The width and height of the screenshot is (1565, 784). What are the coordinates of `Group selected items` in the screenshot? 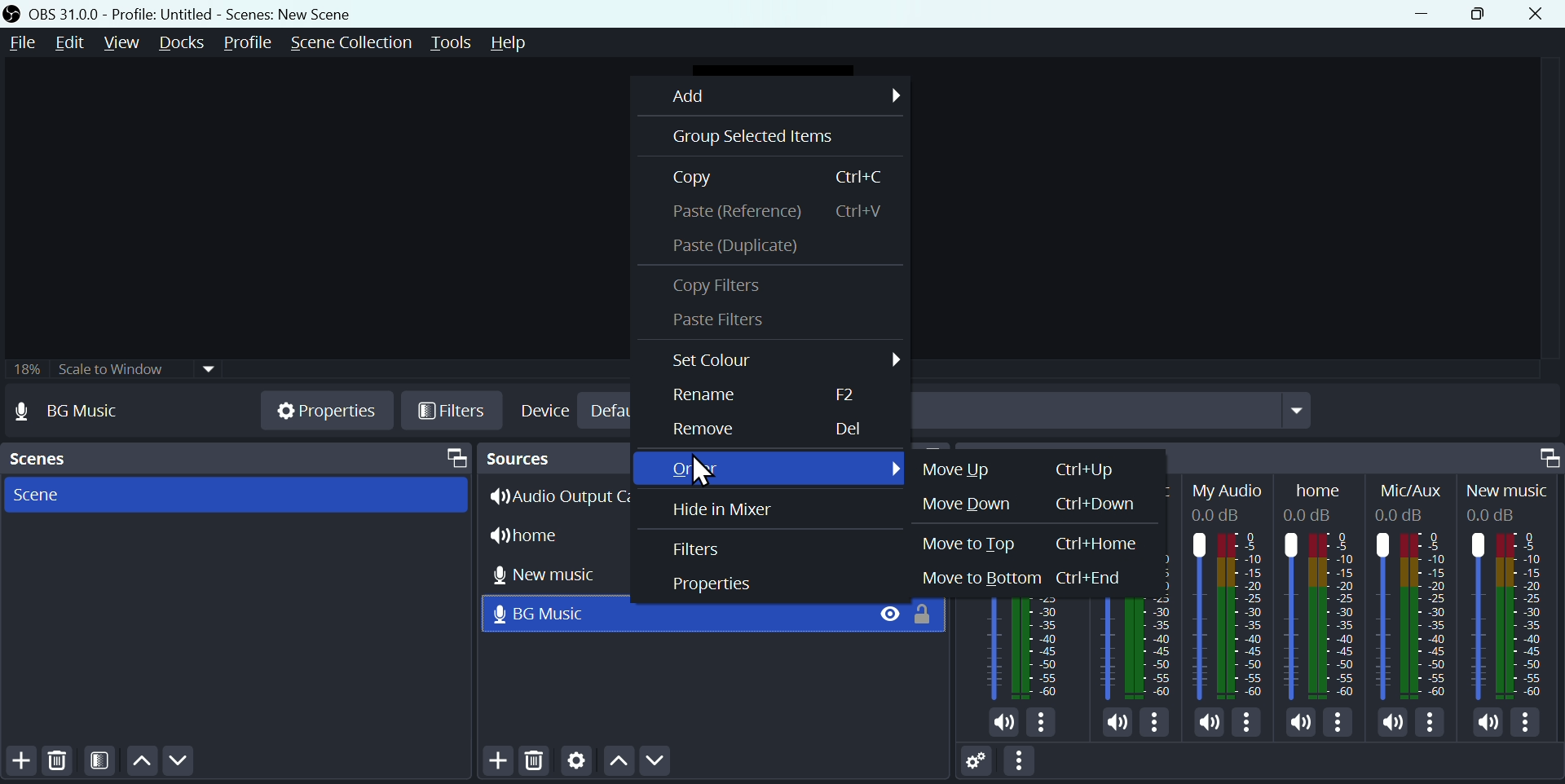 It's located at (744, 136).